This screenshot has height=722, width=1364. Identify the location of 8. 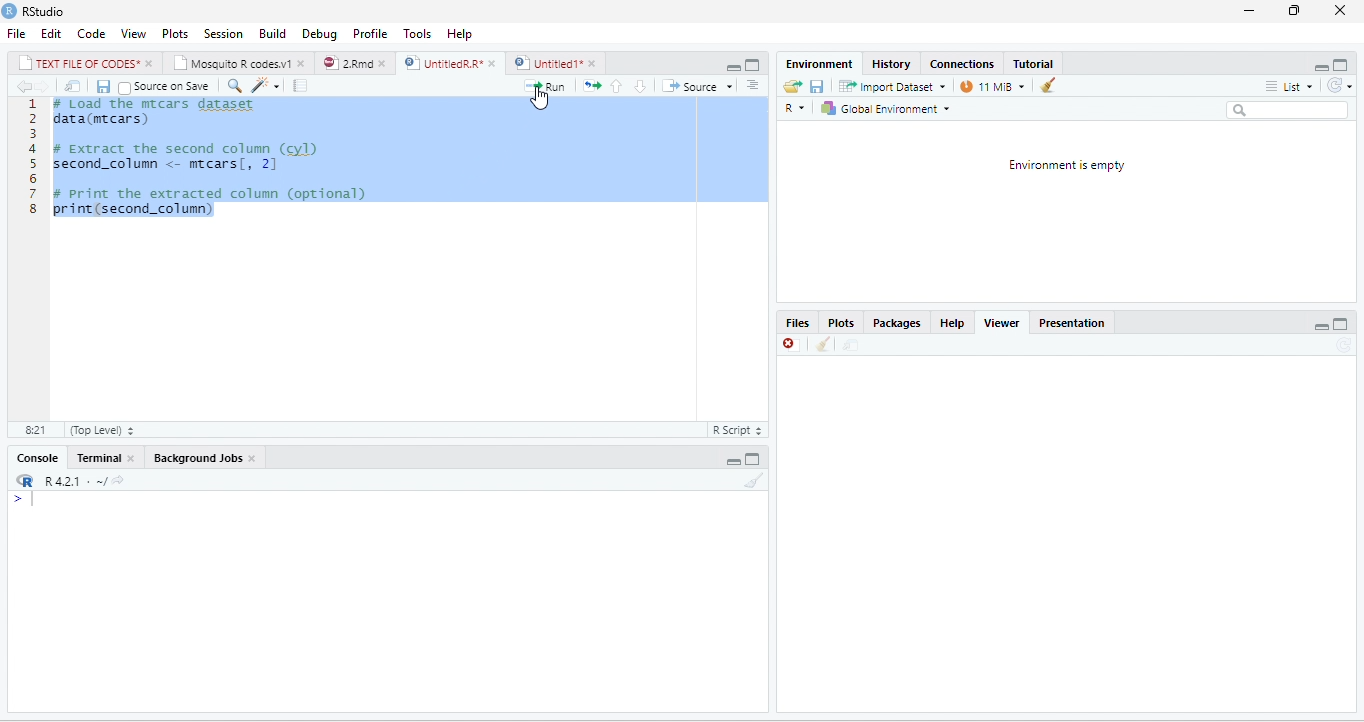
(32, 209).